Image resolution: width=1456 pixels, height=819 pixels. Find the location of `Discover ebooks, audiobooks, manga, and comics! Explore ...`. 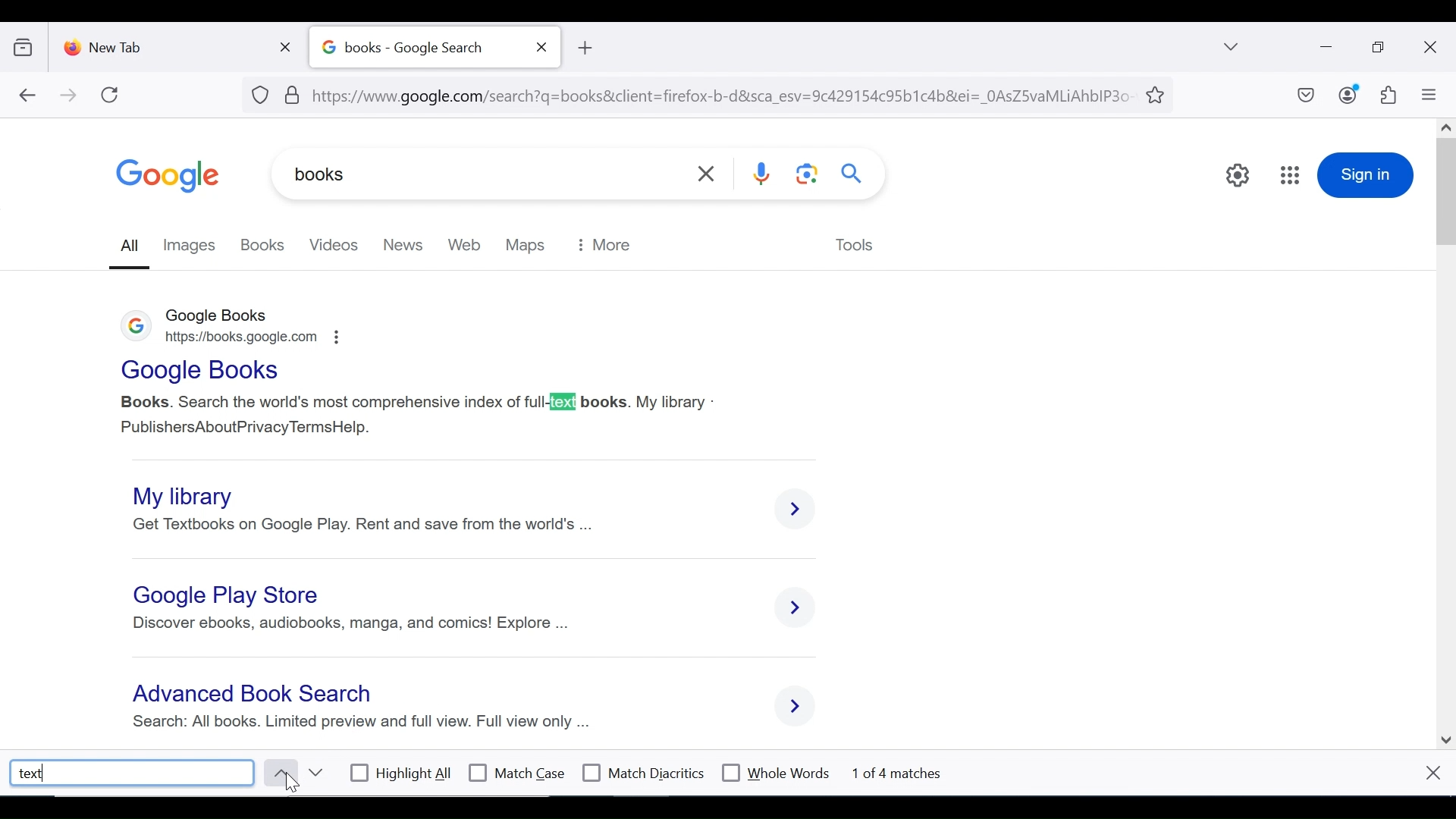

Discover ebooks, audiobooks, manga, and comics! Explore ... is located at coordinates (347, 623).